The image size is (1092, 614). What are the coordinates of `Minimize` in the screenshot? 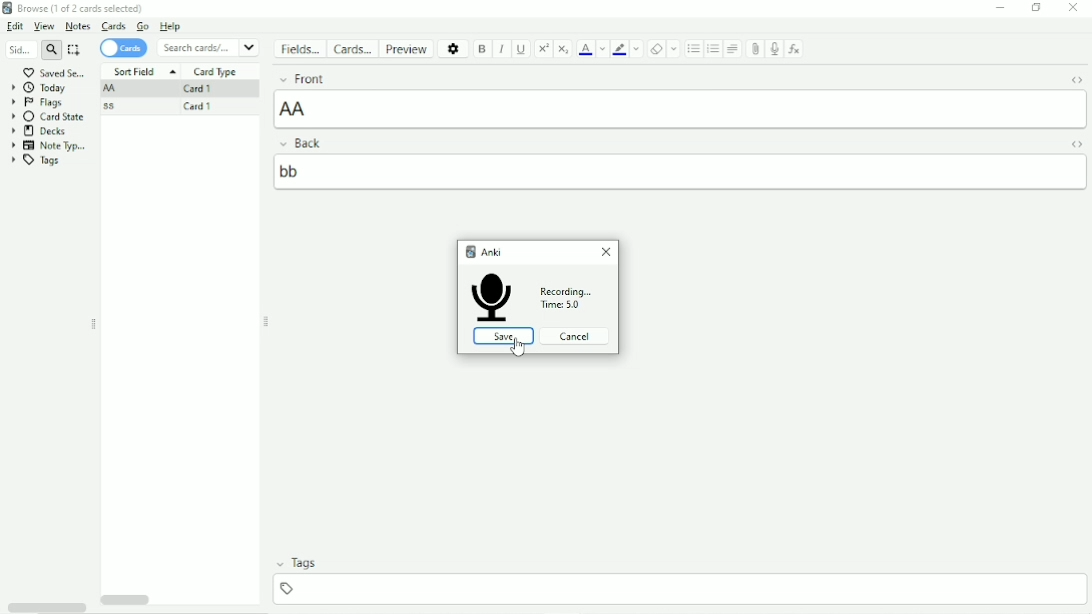 It's located at (1001, 7).